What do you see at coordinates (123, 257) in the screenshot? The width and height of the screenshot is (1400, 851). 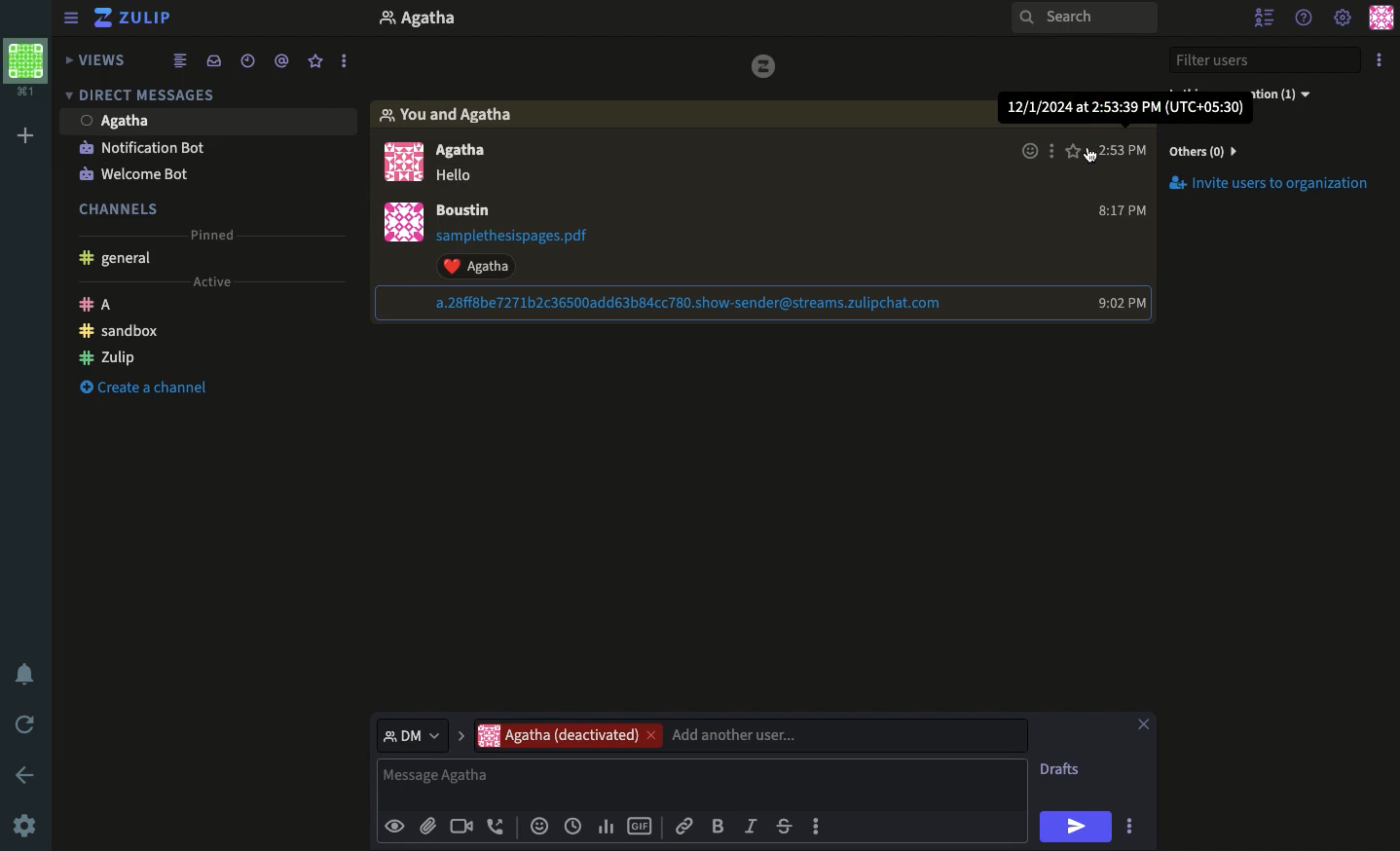 I see `General` at bounding box center [123, 257].